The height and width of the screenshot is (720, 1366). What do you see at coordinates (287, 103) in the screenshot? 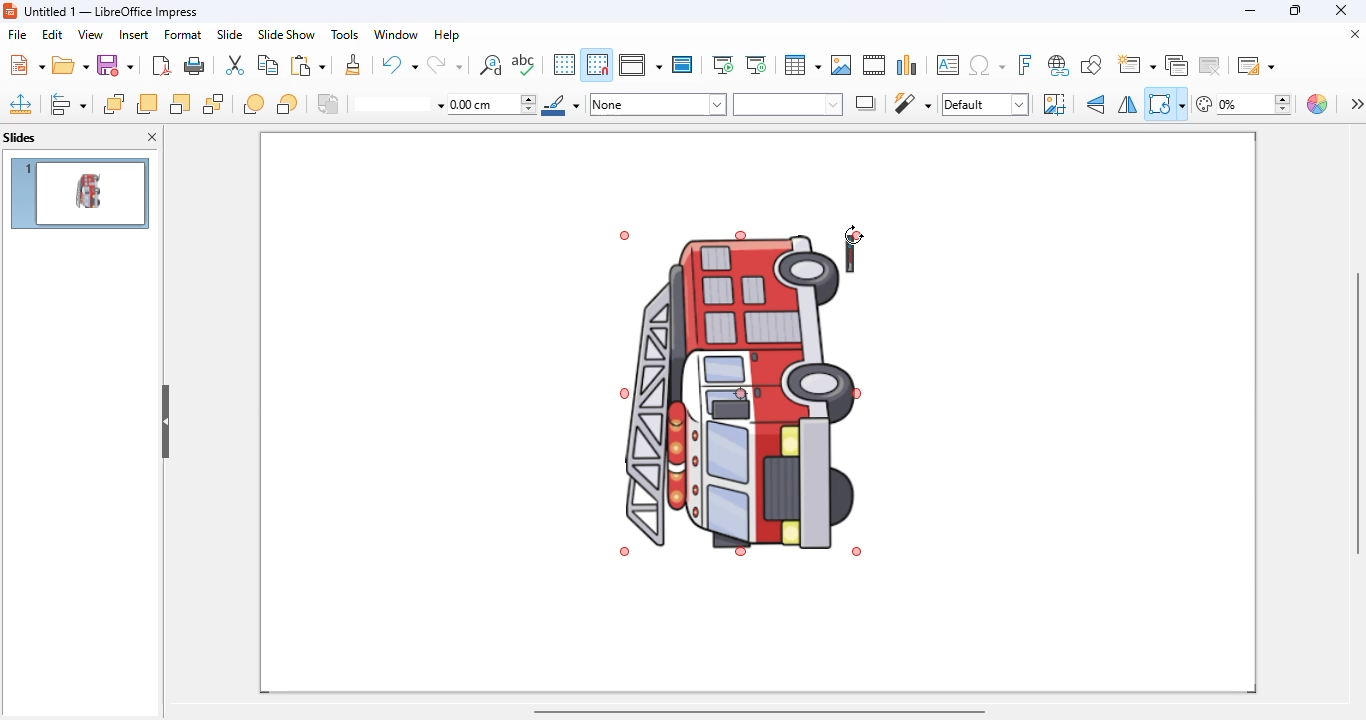
I see `behind objects` at bounding box center [287, 103].